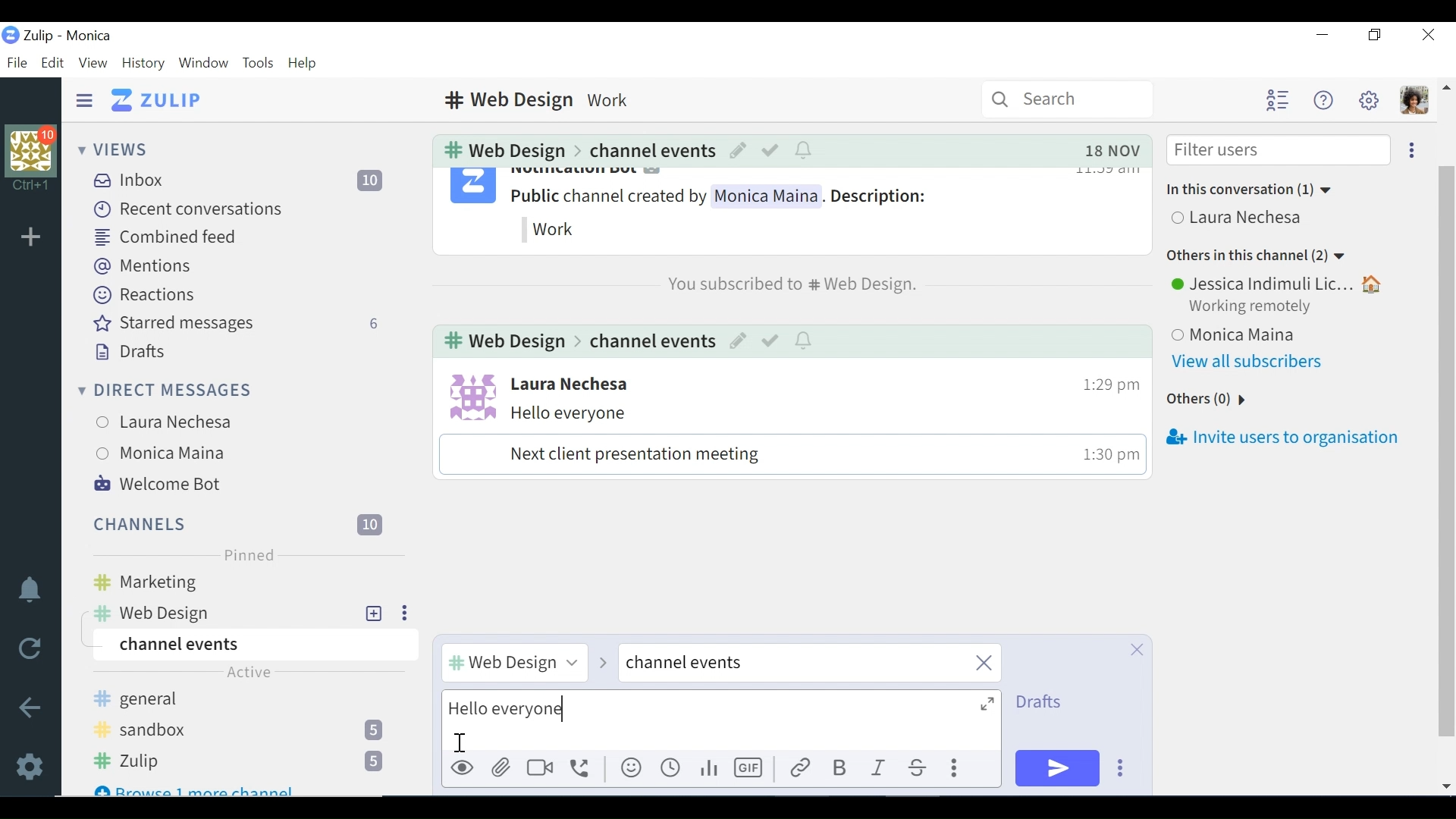 This screenshot has height=819, width=1456. I want to click on User, so click(172, 419).